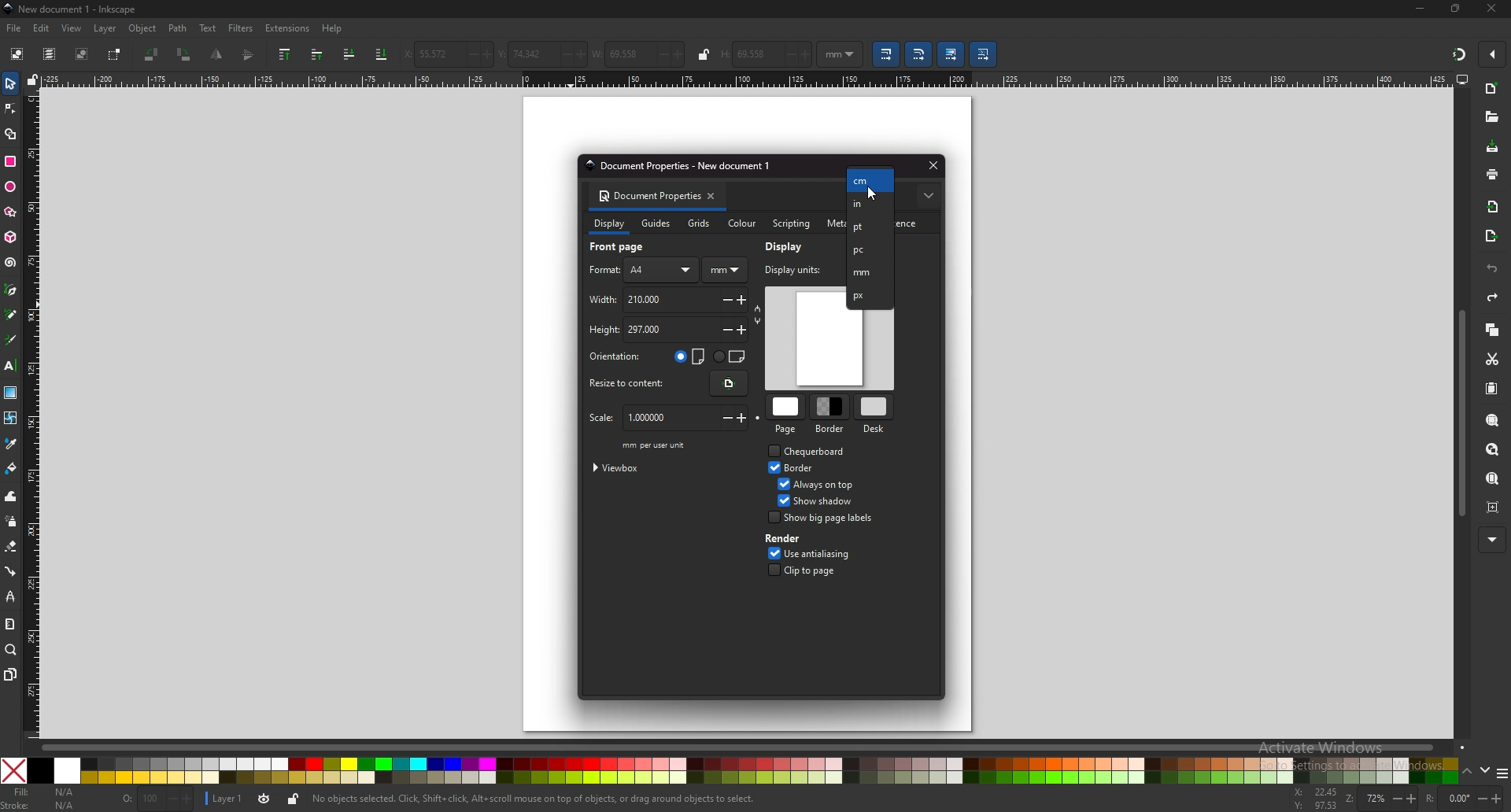 The width and height of the screenshot is (1511, 812). What do you see at coordinates (425, 55) in the screenshot?
I see `horizontal coordinate` at bounding box center [425, 55].